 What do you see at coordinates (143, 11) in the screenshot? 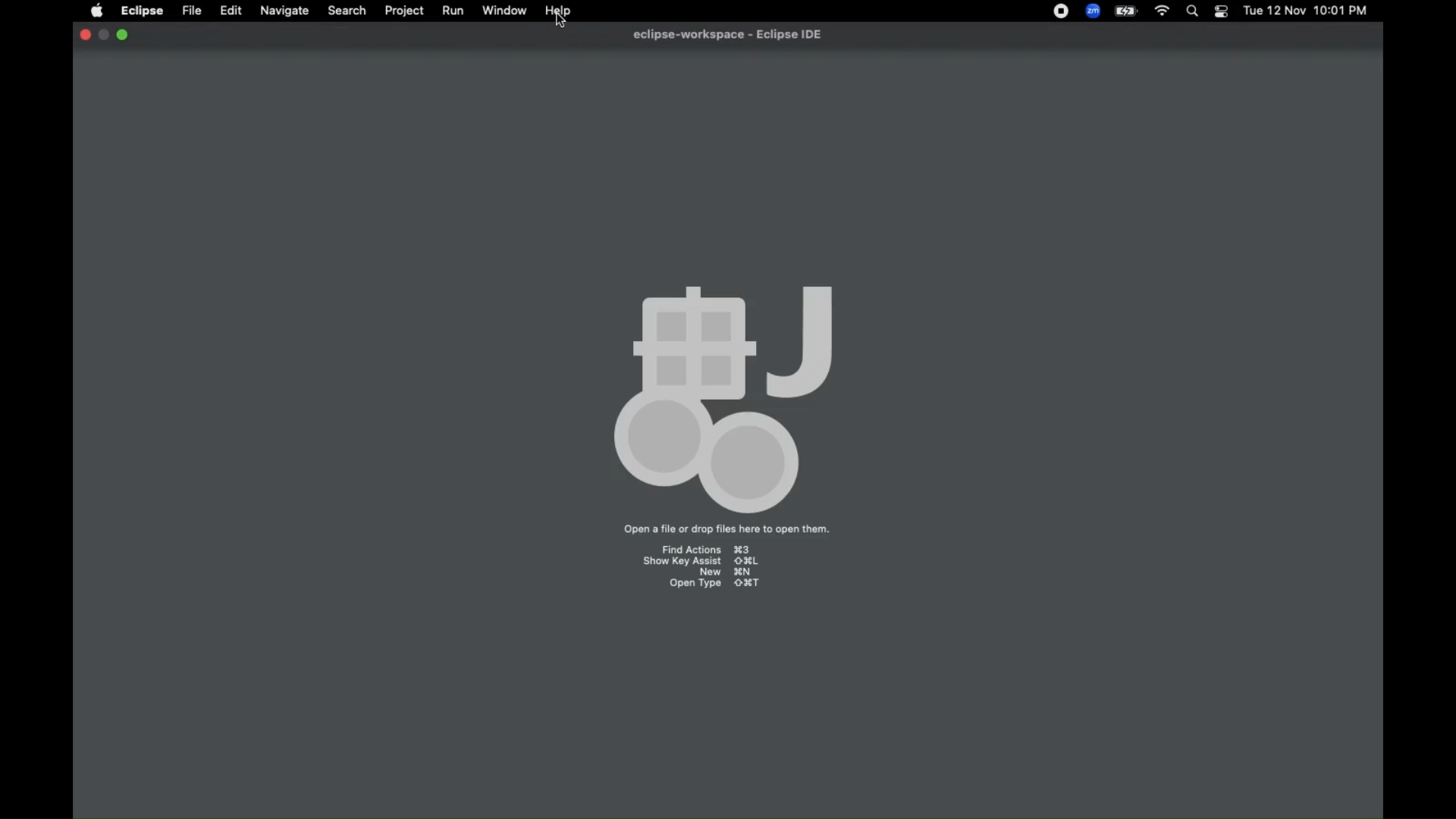
I see `Eclipse` at bounding box center [143, 11].